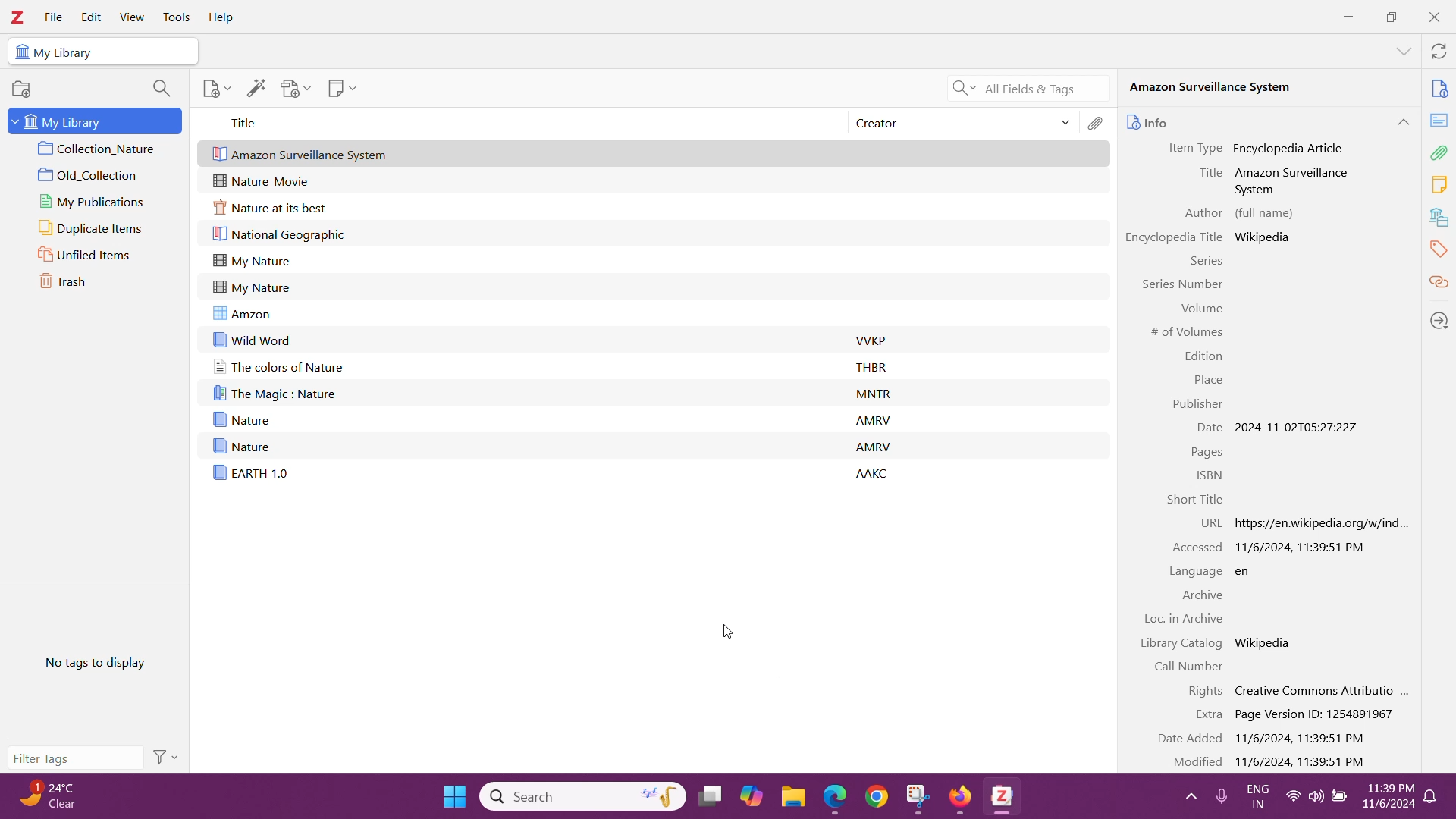 The height and width of the screenshot is (819, 1456). I want to click on Restore Down, so click(1392, 17).